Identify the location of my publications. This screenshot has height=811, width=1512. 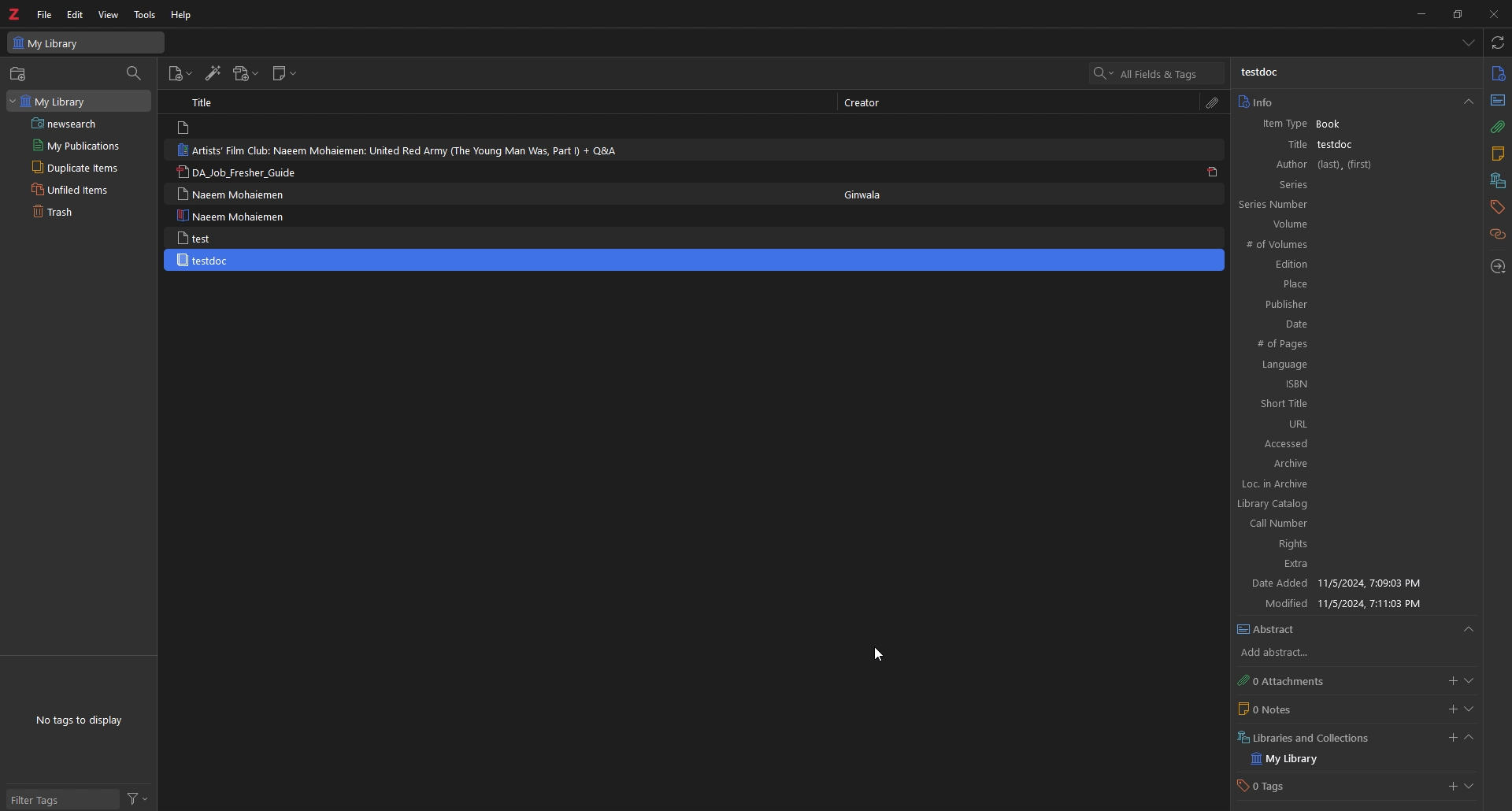
(77, 145).